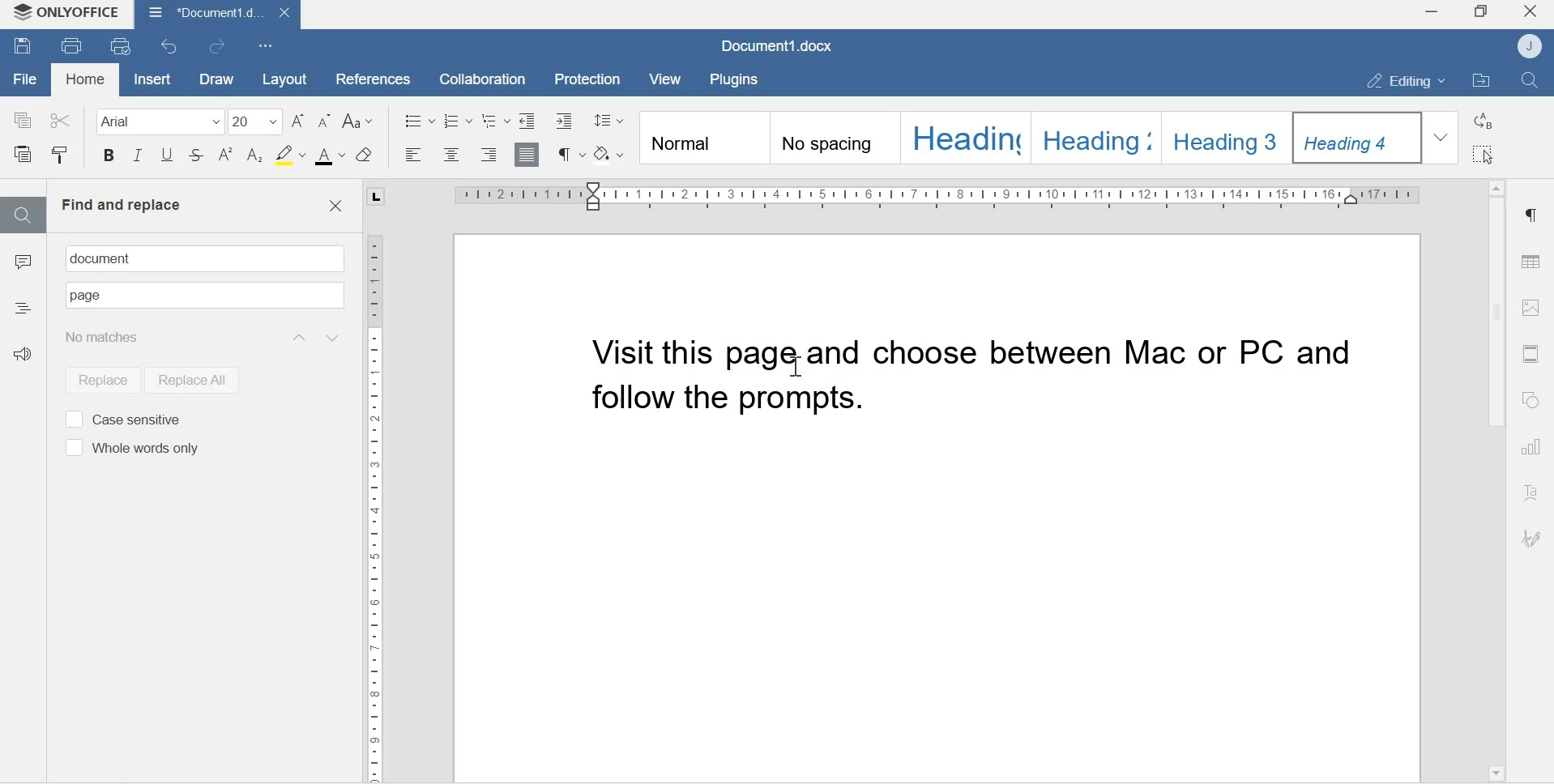 Image resolution: width=1554 pixels, height=784 pixels. I want to click on tab stop, so click(379, 197).